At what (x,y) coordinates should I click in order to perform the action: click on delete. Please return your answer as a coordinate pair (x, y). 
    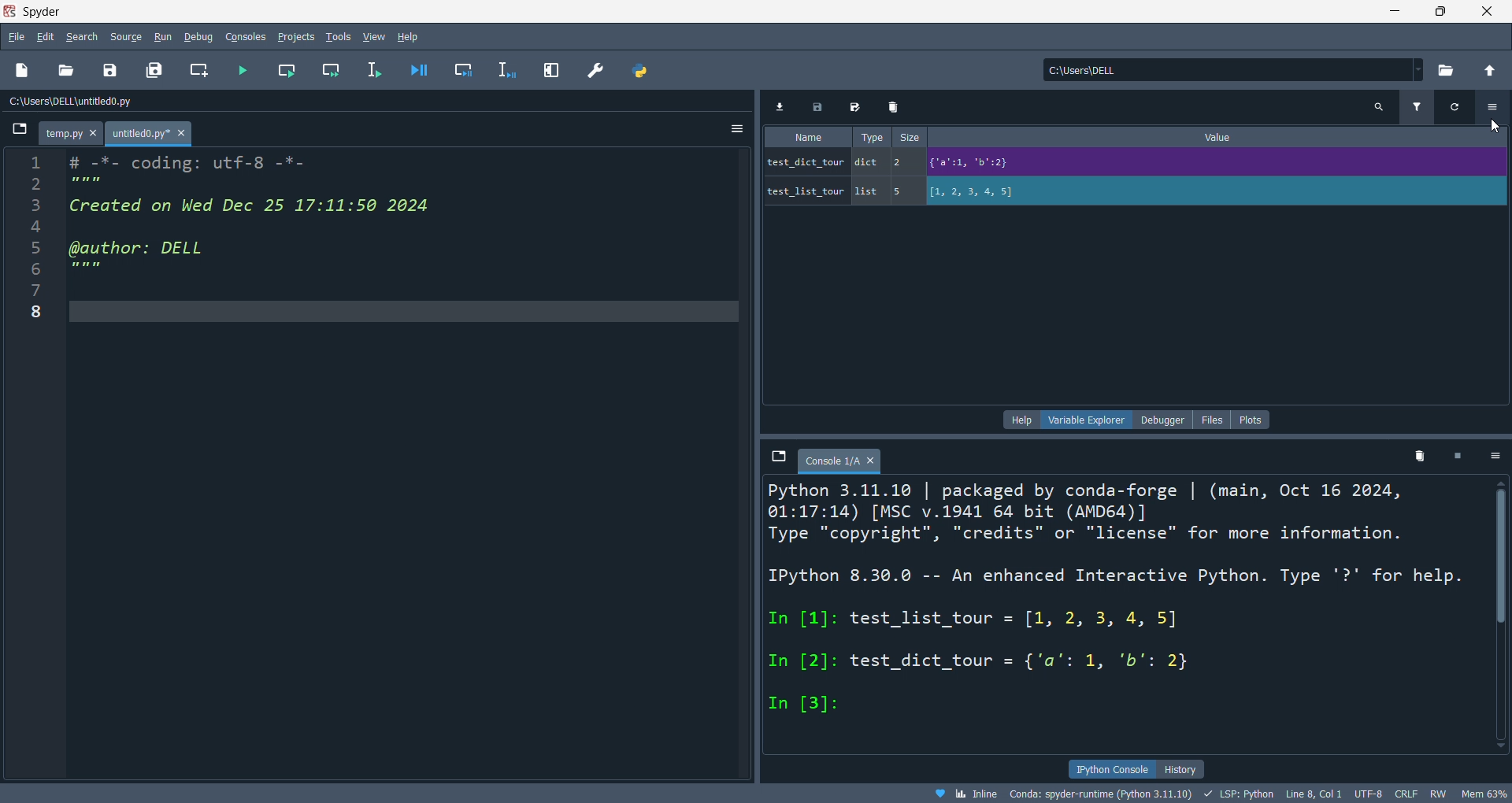
    Looking at the image, I should click on (891, 109).